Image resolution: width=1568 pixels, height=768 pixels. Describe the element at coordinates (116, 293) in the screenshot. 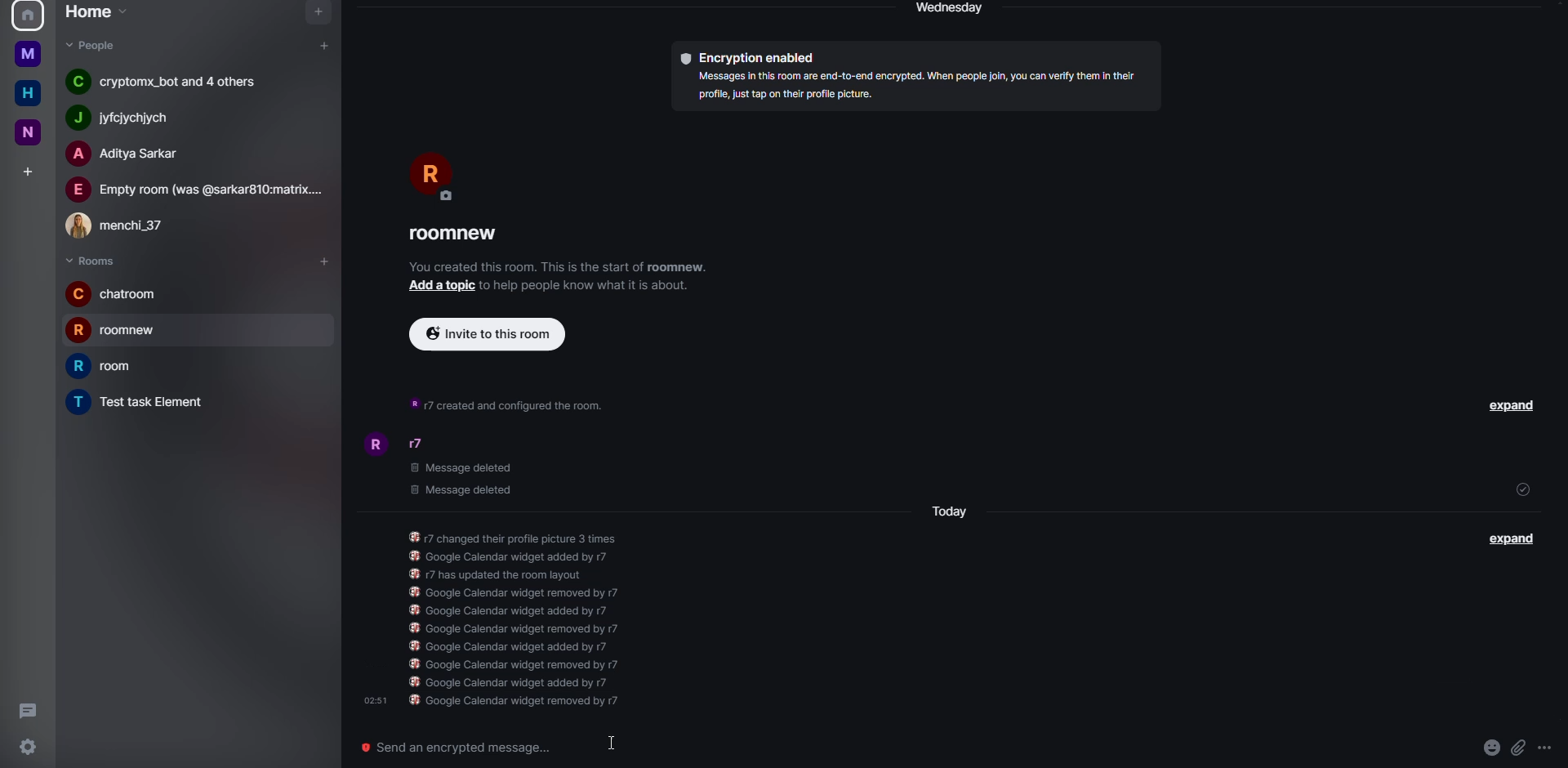

I see `room` at that location.